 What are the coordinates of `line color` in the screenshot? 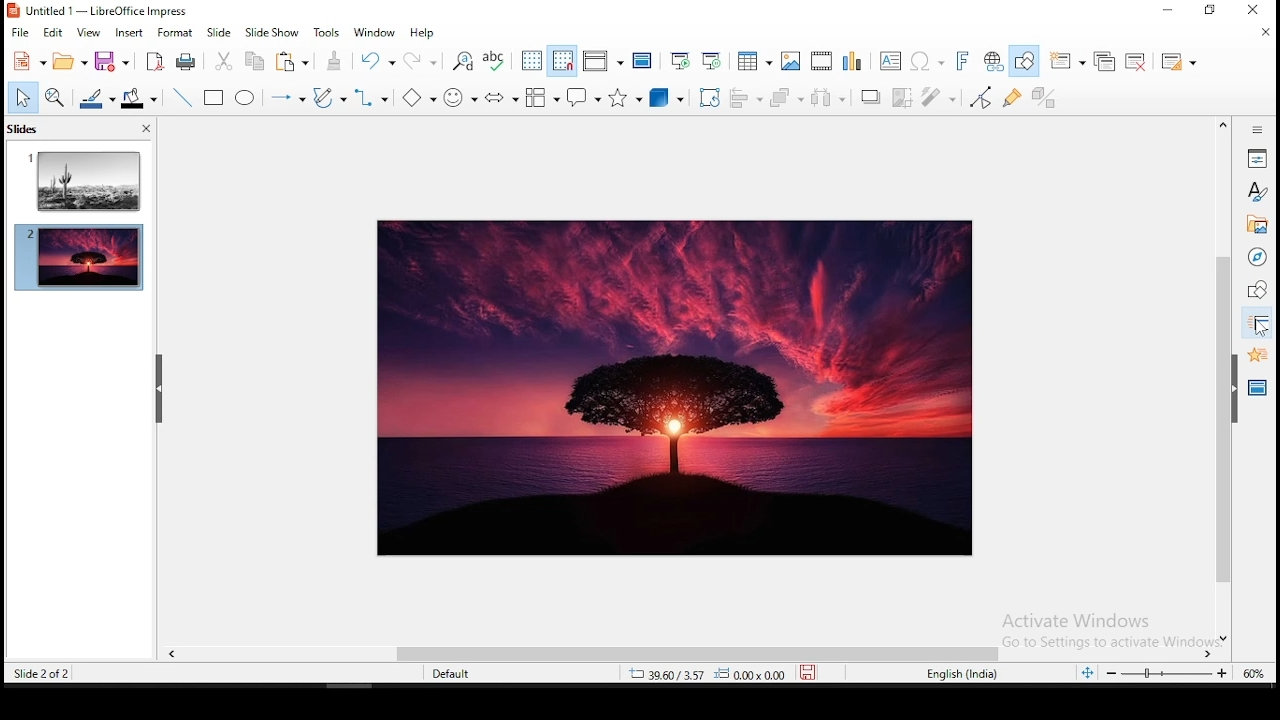 It's located at (99, 98).